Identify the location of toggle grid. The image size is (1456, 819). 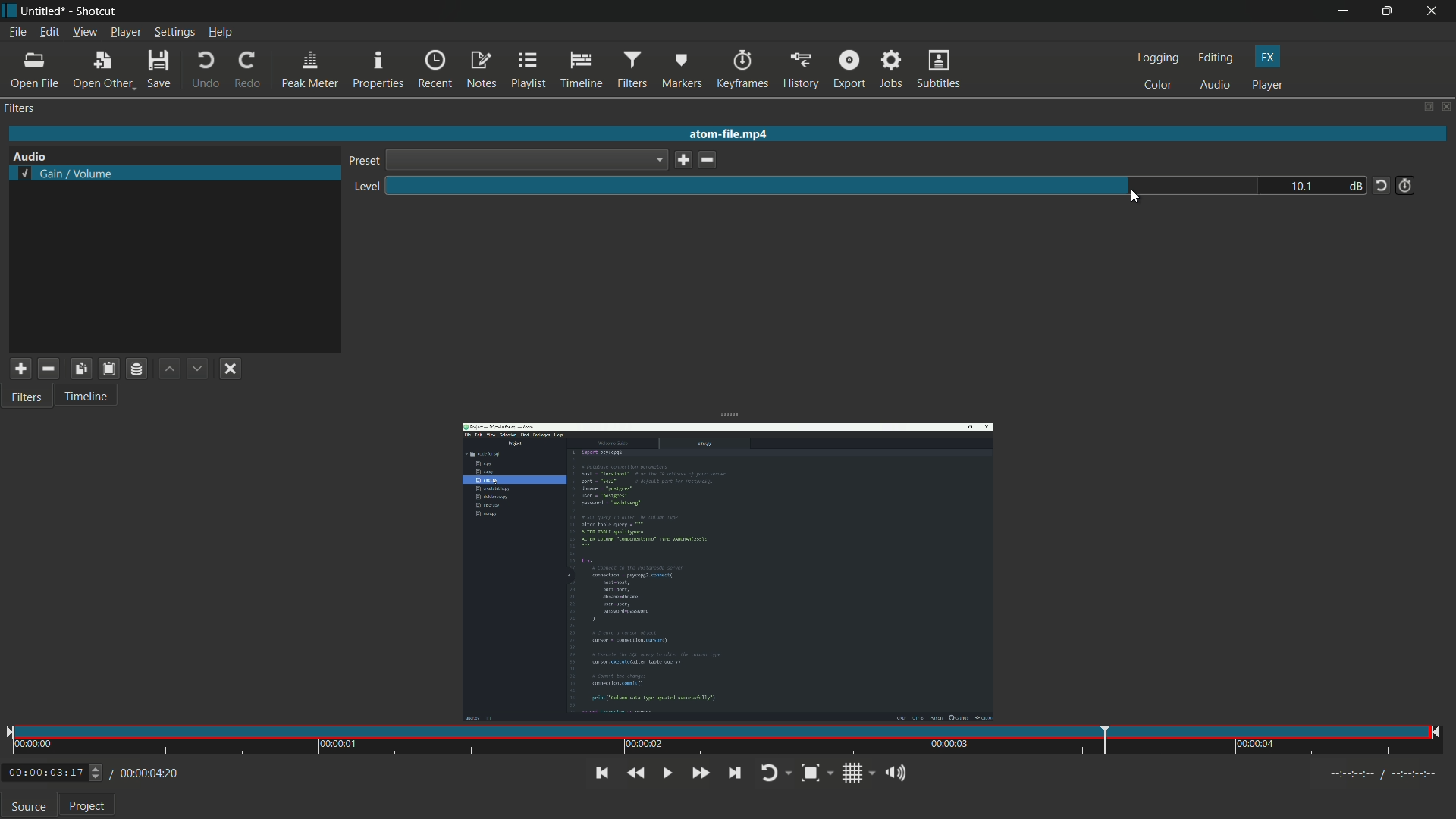
(859, 774).